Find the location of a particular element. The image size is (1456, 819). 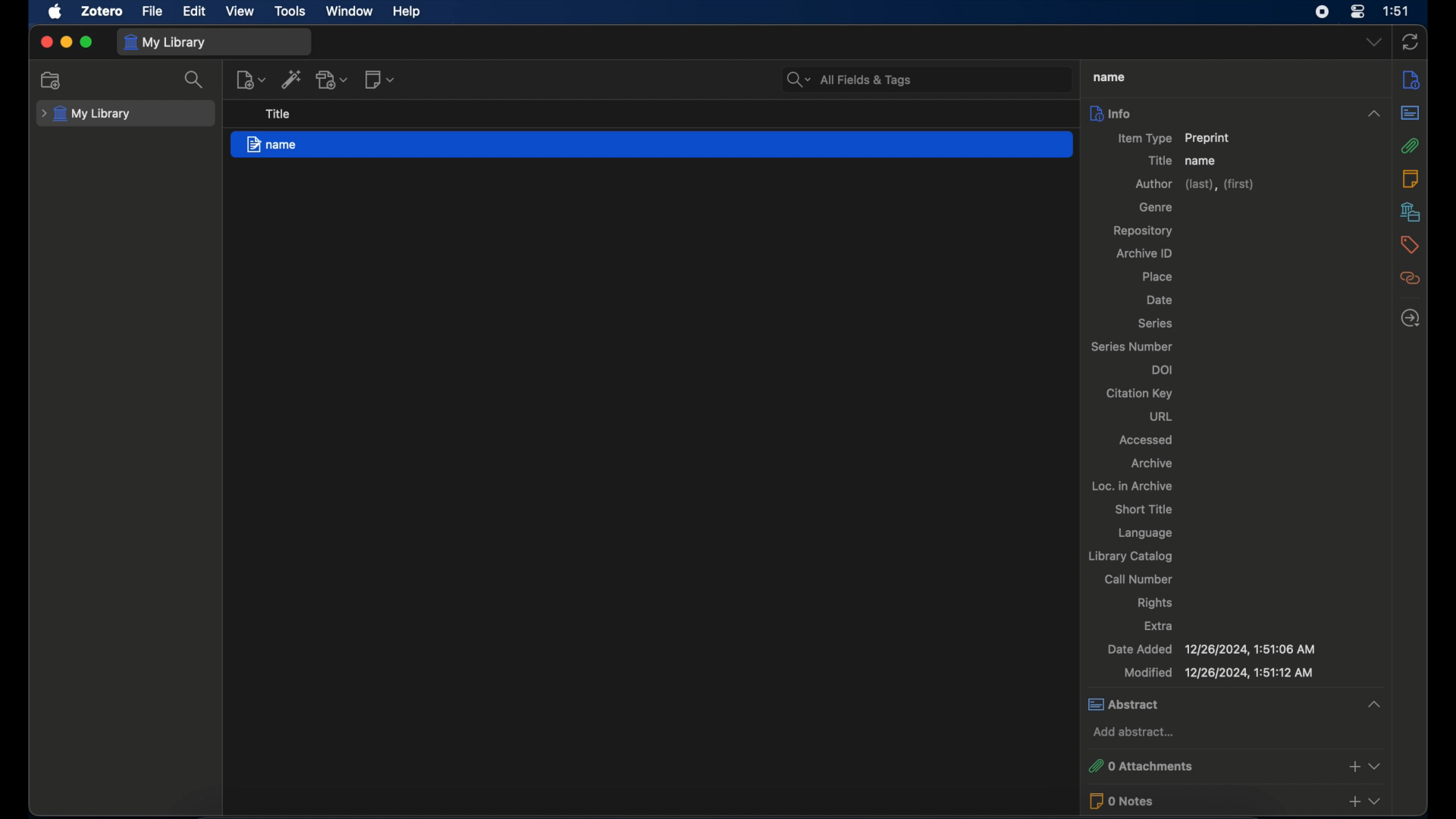

series number is located at coordinates (1132, 347).